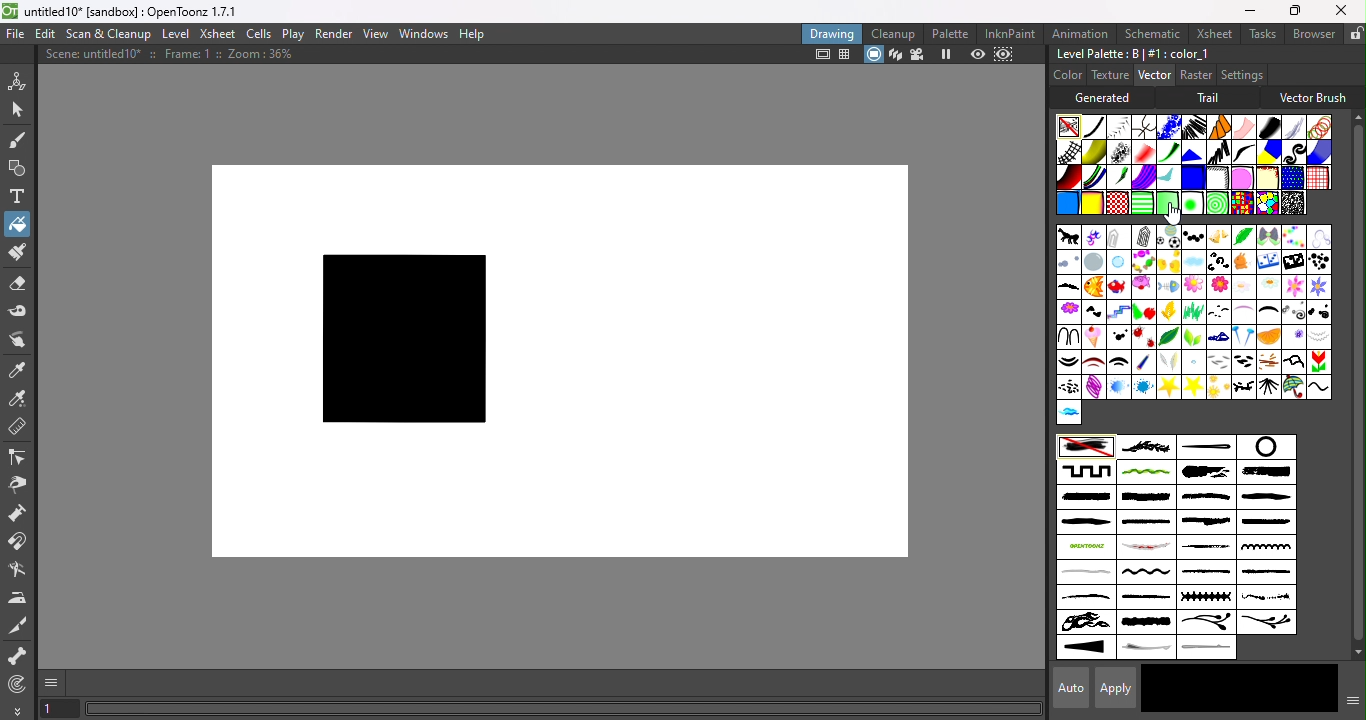 This screenshot has width=1366, height=720. I want to click on intertwined waved, so click(1147, 473).